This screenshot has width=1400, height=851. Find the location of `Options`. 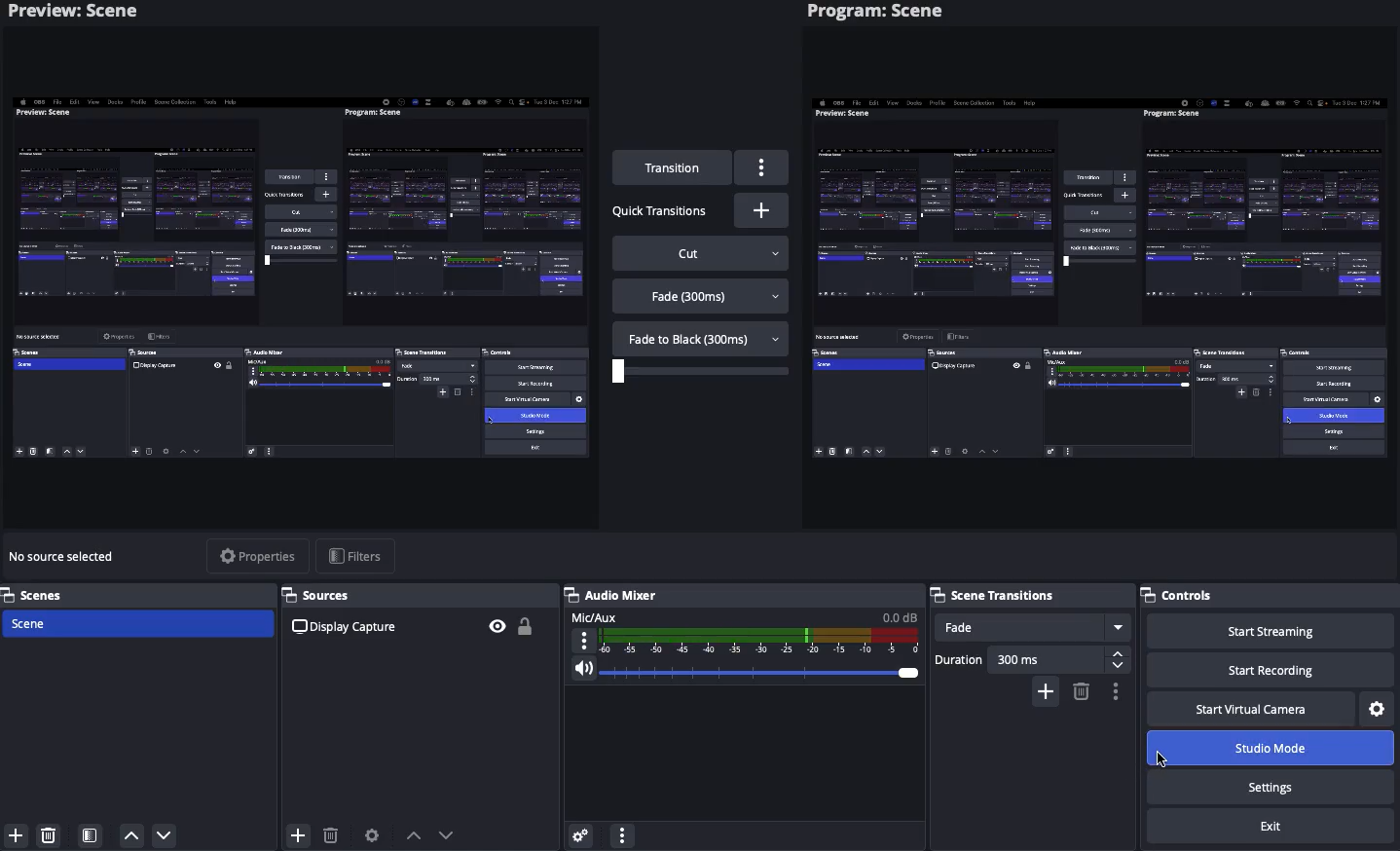

Options is located at coordinates (761, 166).